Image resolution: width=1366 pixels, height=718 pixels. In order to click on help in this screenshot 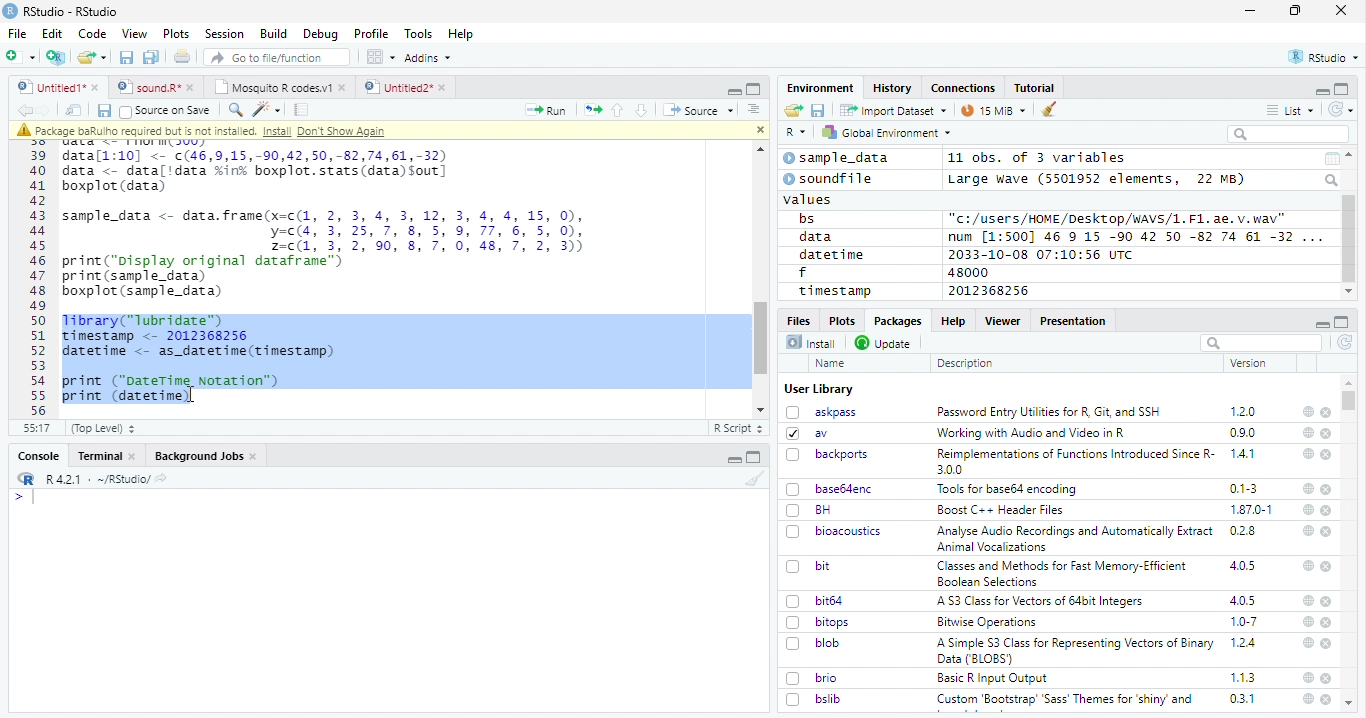, I will do `click(1307, 411)`.